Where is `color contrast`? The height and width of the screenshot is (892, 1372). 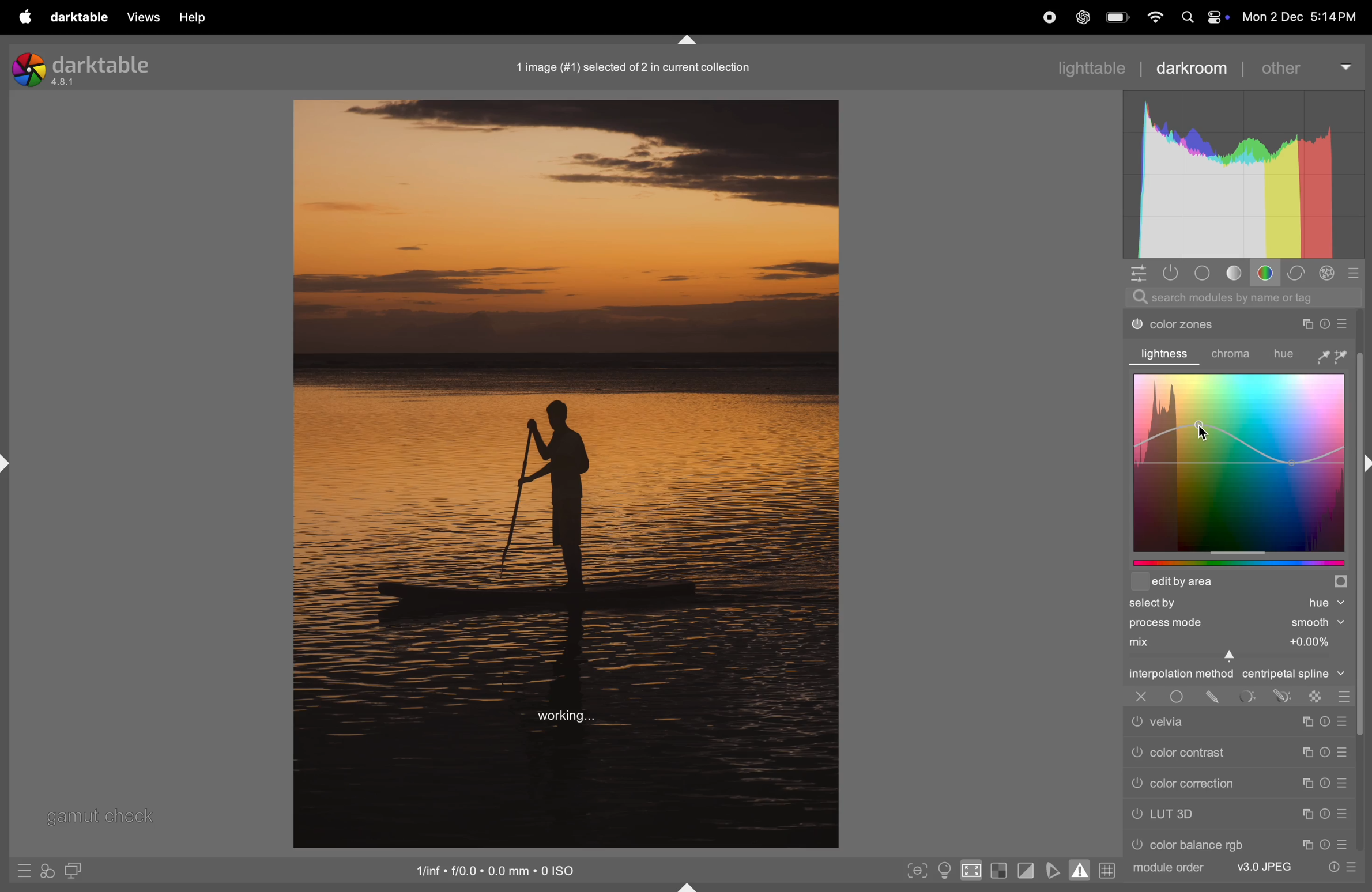 color contrast is located at coordinates (1202, 751).